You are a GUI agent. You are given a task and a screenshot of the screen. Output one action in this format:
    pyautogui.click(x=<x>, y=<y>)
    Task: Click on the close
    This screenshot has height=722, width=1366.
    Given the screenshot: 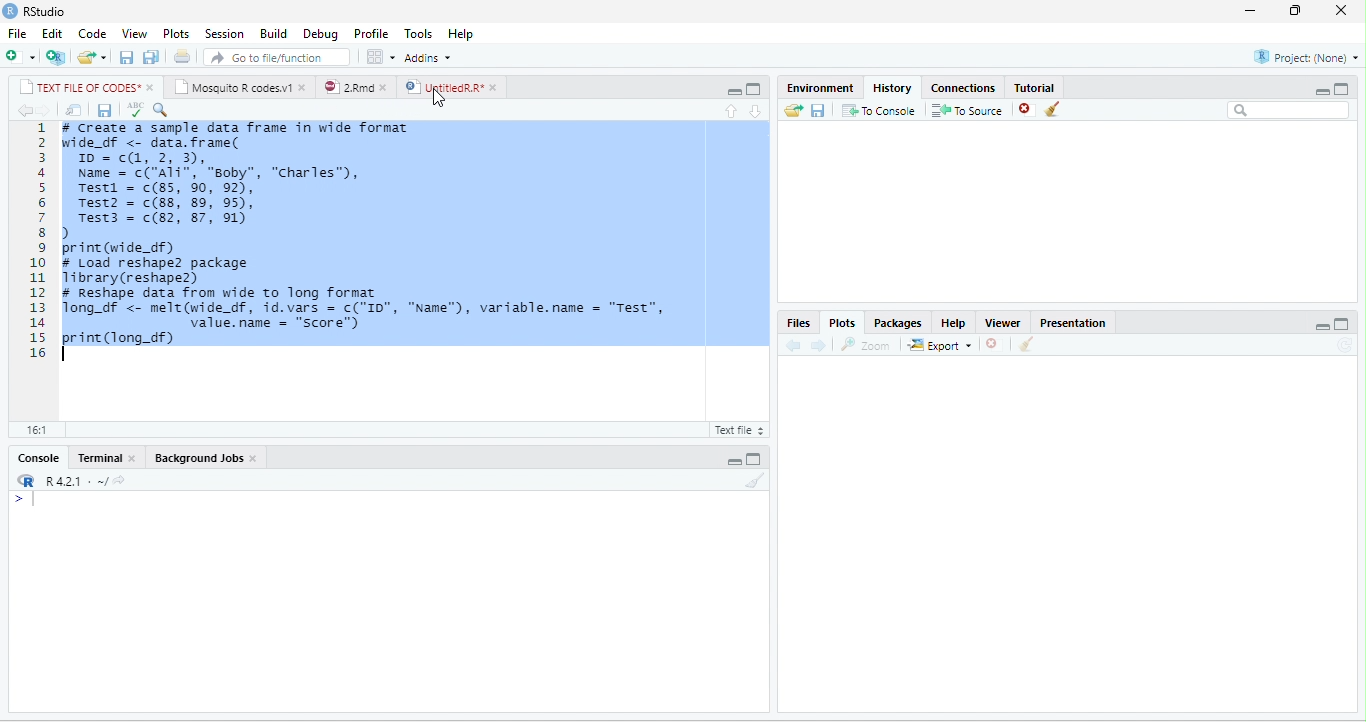 What is the action you would take?
    pyautogui.click(x=134, y=458)
    